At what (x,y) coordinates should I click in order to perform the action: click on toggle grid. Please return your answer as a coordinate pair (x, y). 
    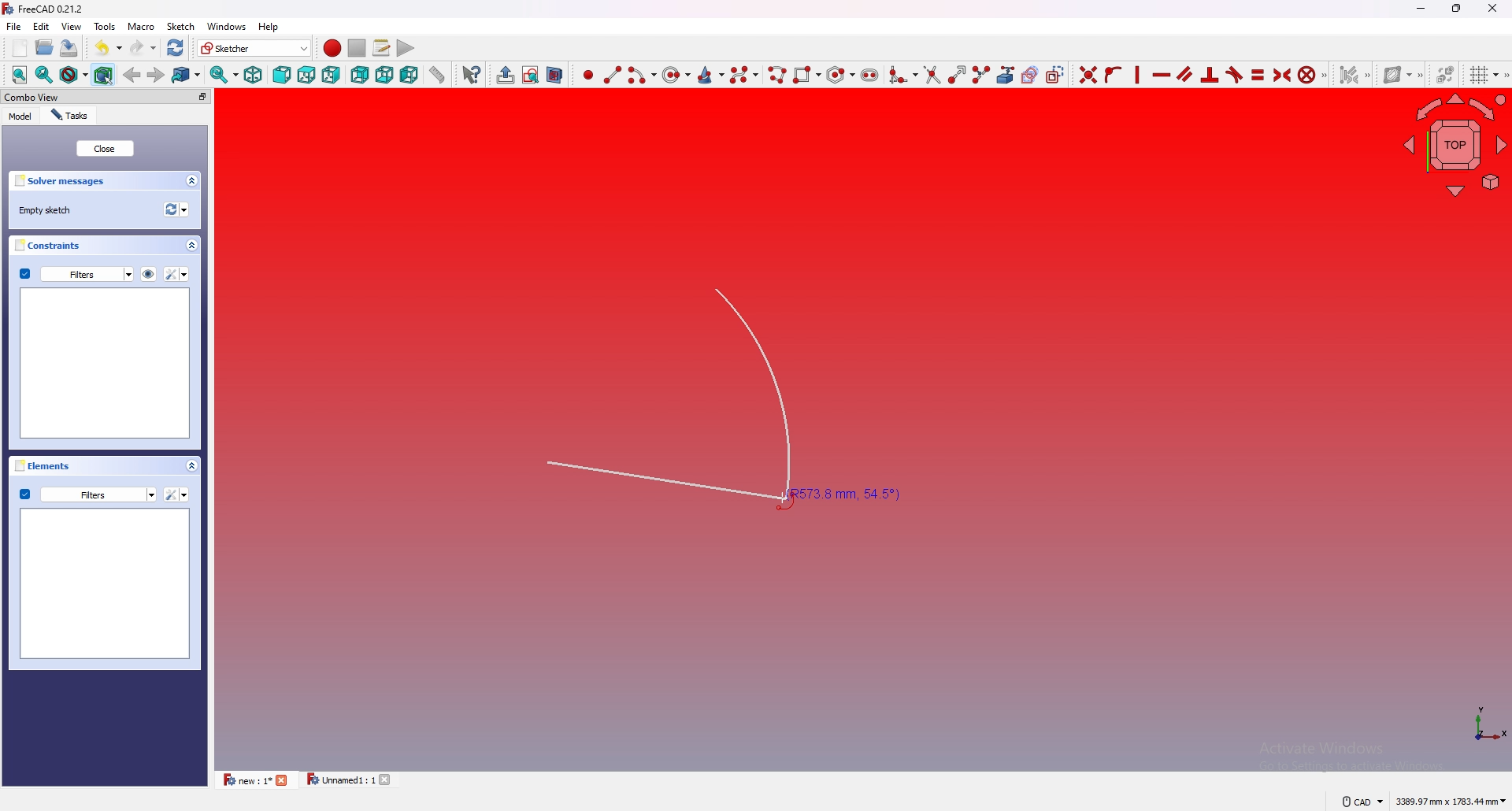
    Looking at the image, I should click on (1487, 75).